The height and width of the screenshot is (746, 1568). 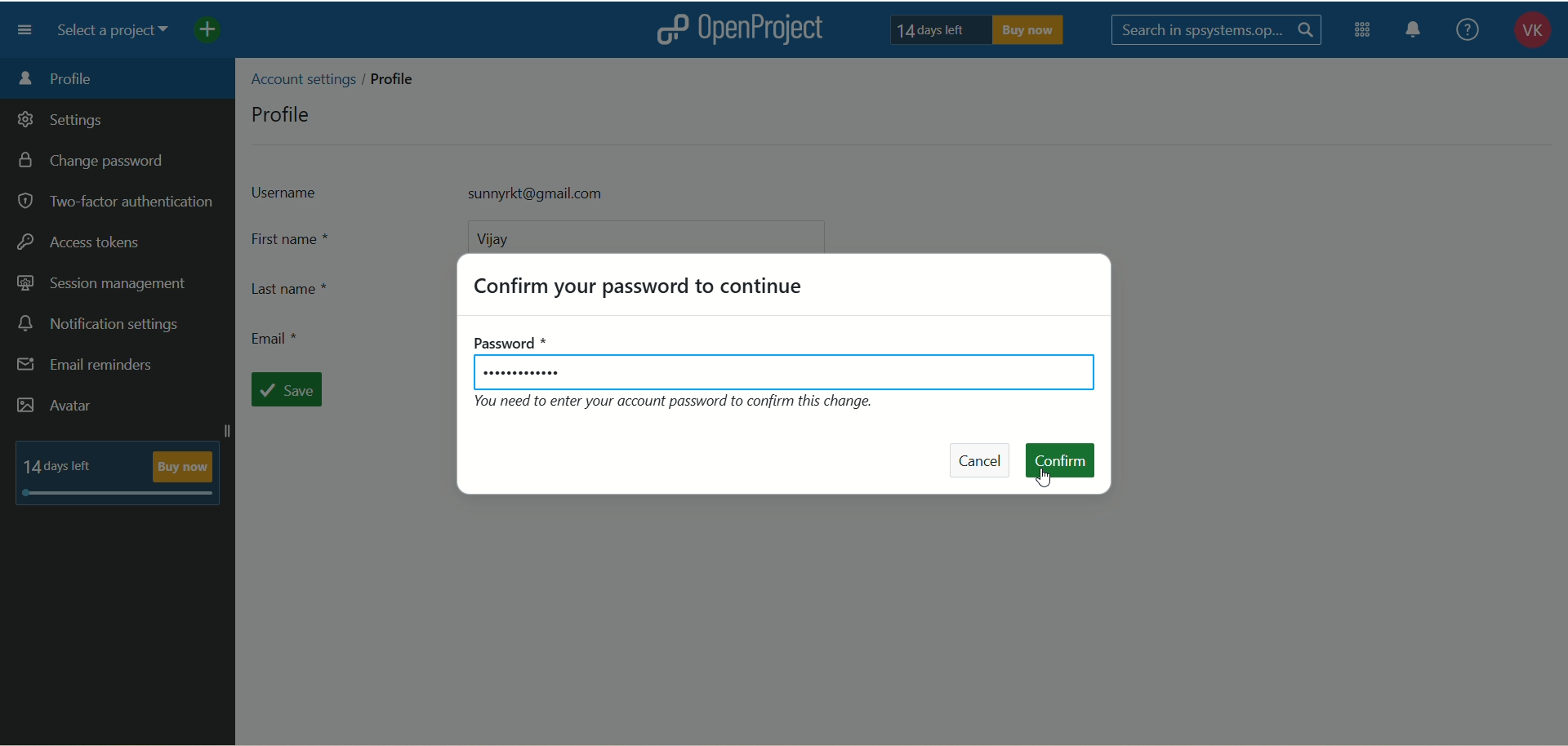 What do you see at coordinates (541, 342) in the screenshot?
I see `password` at bounding box center [541, 342].